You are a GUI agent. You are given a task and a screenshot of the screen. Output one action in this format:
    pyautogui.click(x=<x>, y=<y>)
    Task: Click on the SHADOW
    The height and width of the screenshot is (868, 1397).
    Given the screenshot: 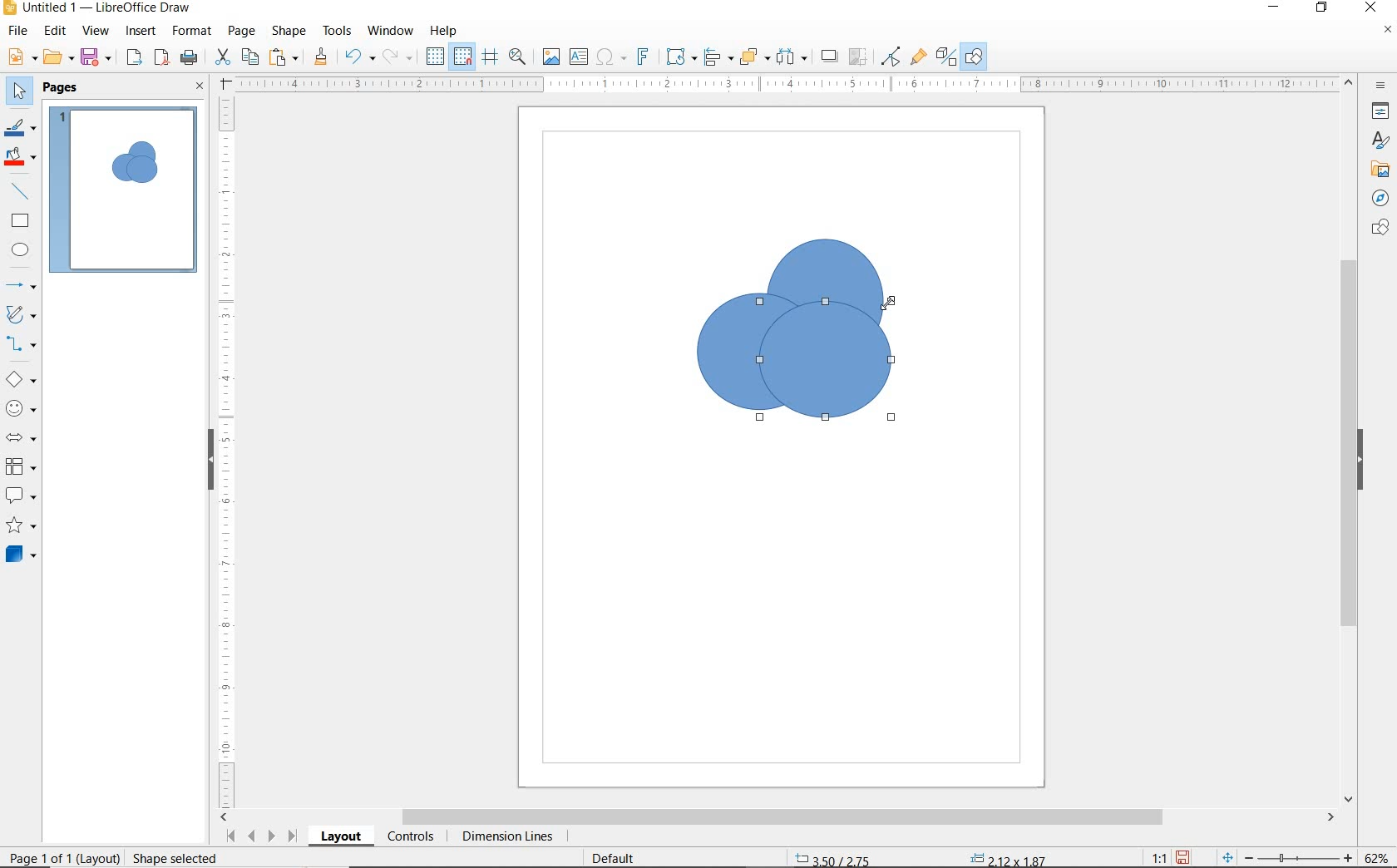 What is the action you would take?
    pyautogui.click(x=830, y=58)
    